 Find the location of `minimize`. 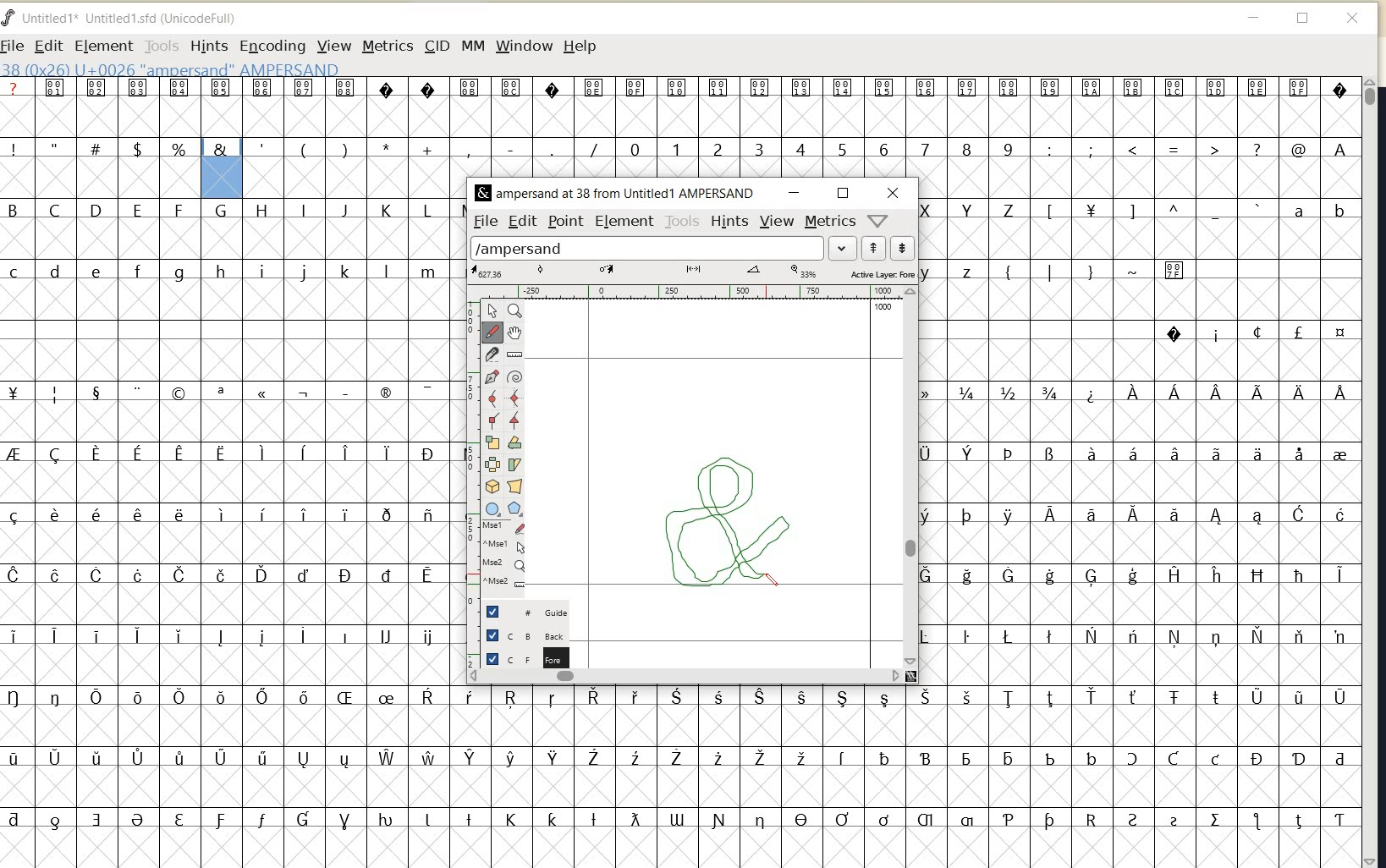

minimize is located at coordinates (1251, 19).